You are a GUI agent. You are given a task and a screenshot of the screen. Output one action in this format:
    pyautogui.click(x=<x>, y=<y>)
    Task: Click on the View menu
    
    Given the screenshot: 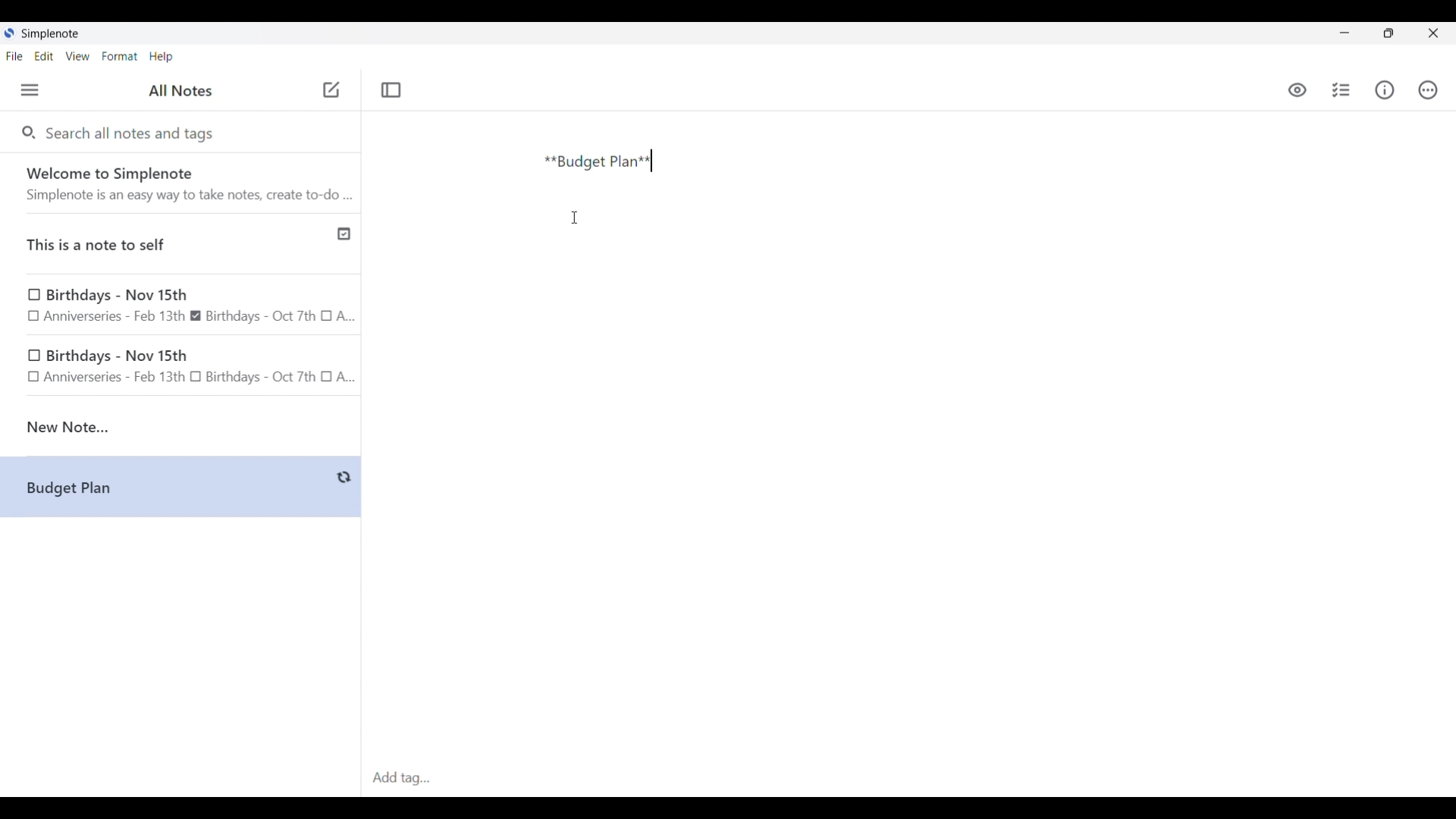 What is the action you would take?
    pyautogui.click(x=78, y=55)
    